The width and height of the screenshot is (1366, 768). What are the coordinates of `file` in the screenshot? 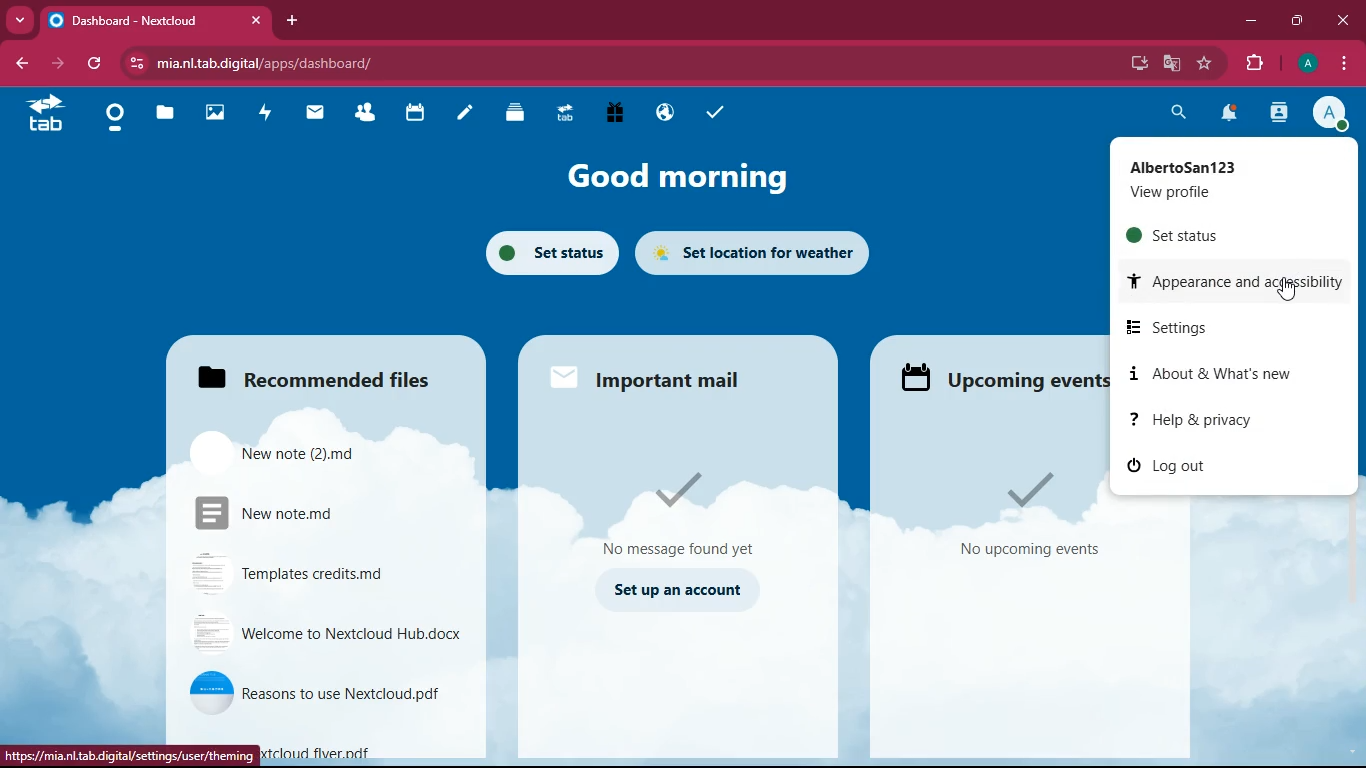 It's located at (332, 633).